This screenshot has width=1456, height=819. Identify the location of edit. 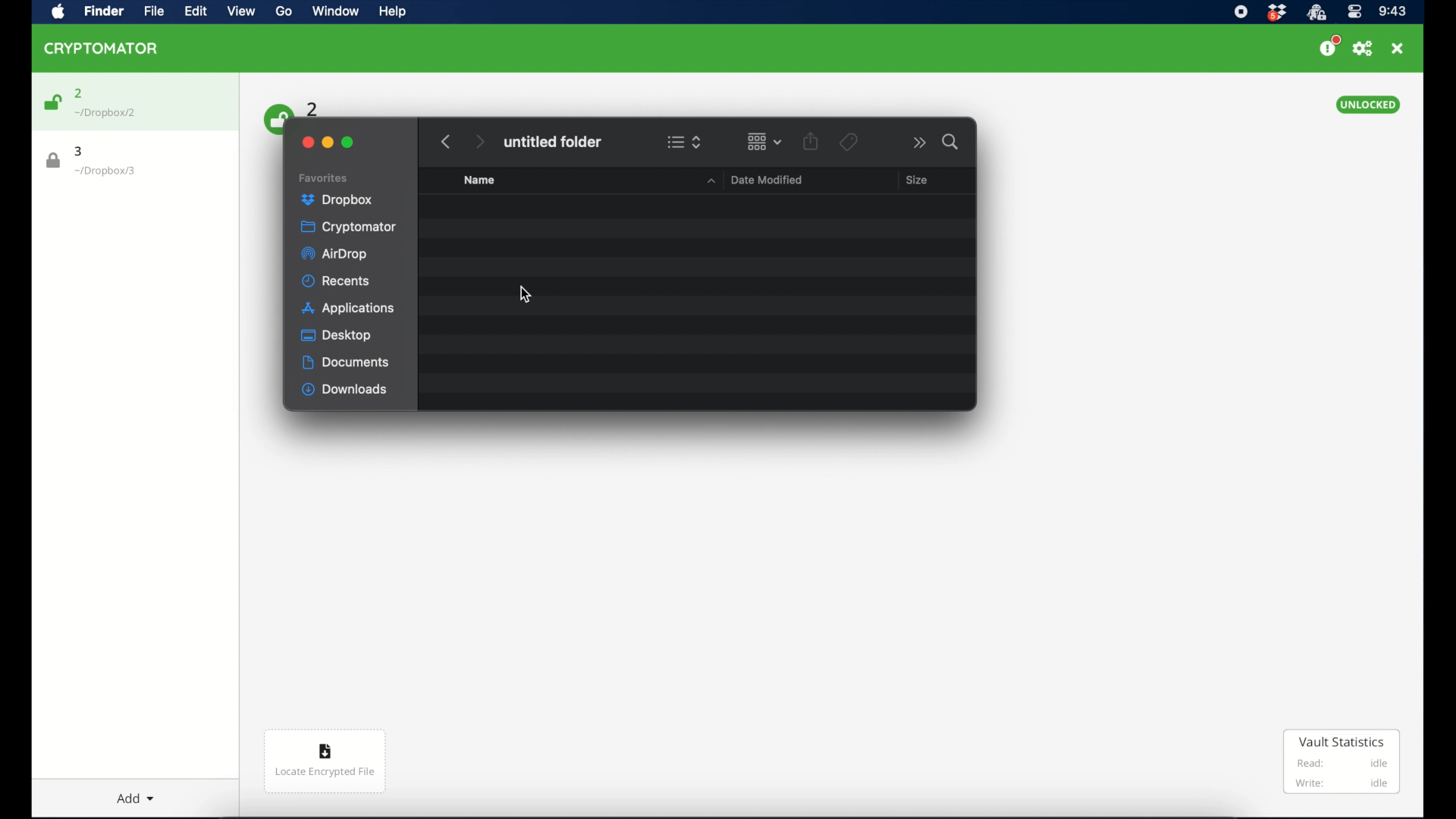
(195, 11).